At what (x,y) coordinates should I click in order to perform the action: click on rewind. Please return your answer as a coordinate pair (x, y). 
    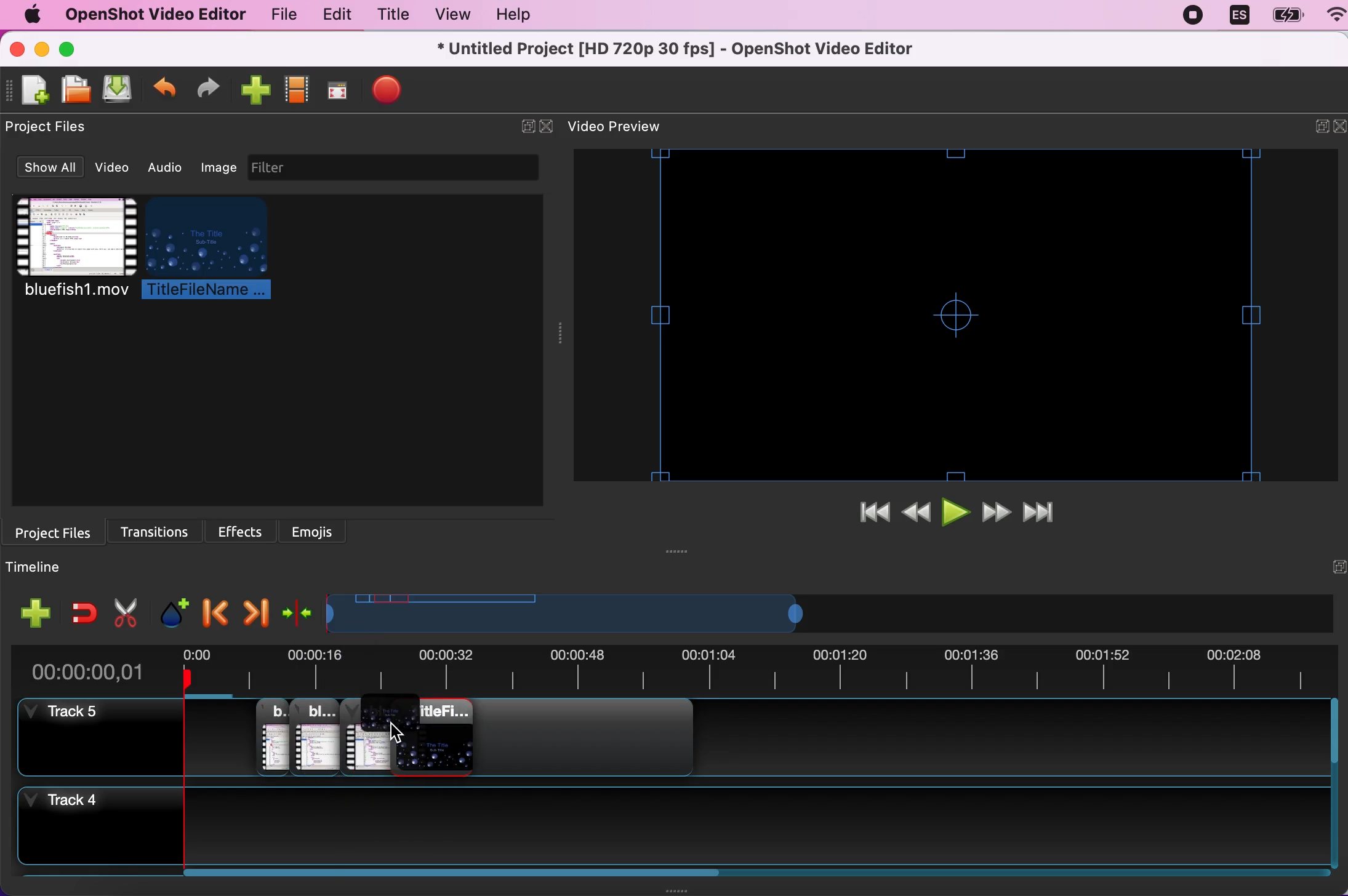
    Looking at the image, I should click on (918, 514).